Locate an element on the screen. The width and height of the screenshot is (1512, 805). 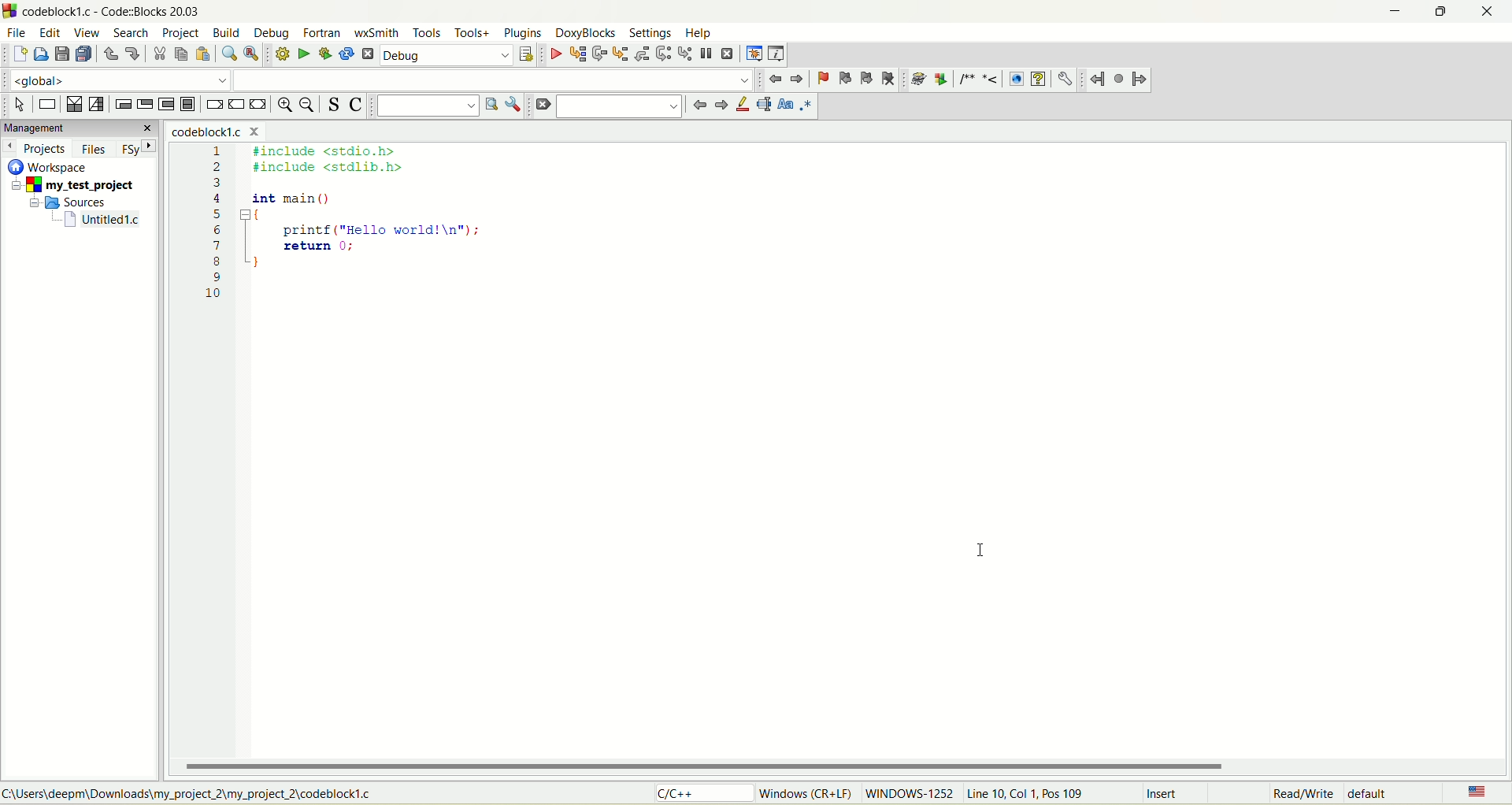
toggle comment is located at coordinates (356, 106).